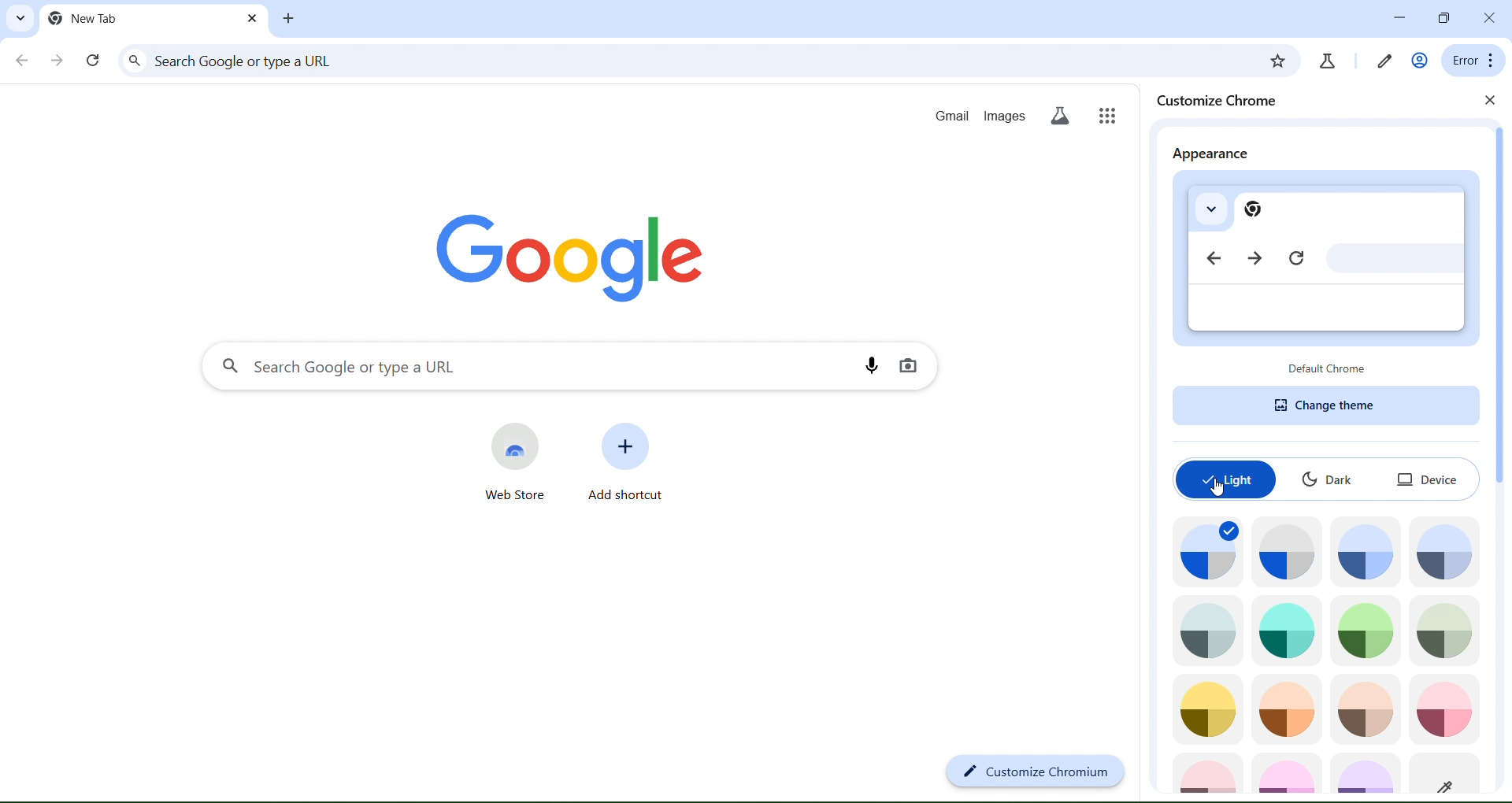  What do you see at coordinates (1287, 709) in the screenshot?
I see `image` at bounding box center [1287, 709].